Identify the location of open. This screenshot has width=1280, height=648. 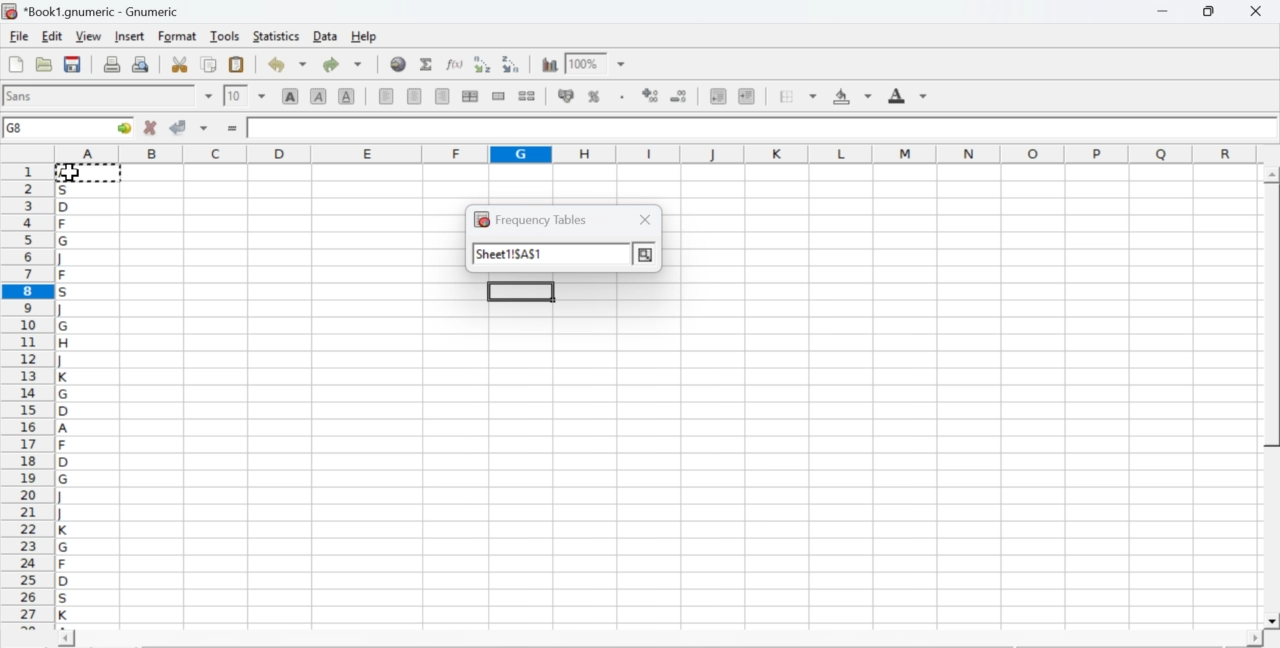
(42, 64).